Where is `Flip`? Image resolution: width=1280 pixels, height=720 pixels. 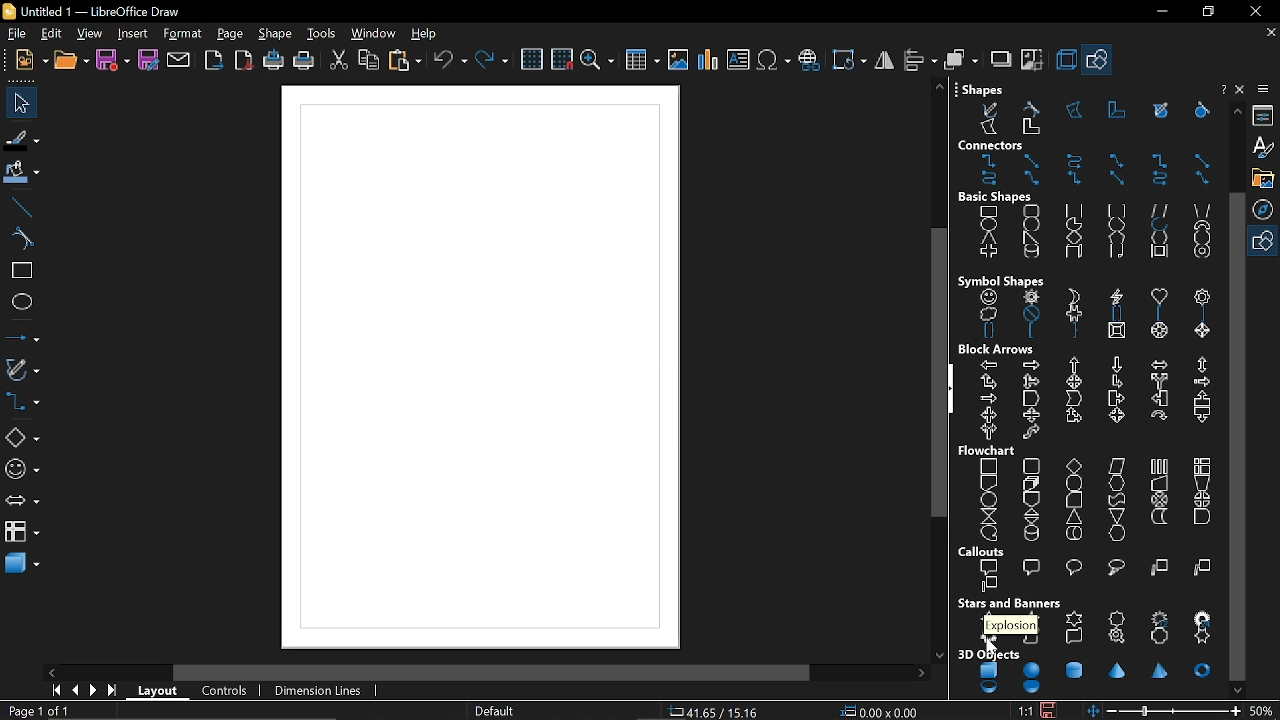
Flip is located at coordinates (883, 61).